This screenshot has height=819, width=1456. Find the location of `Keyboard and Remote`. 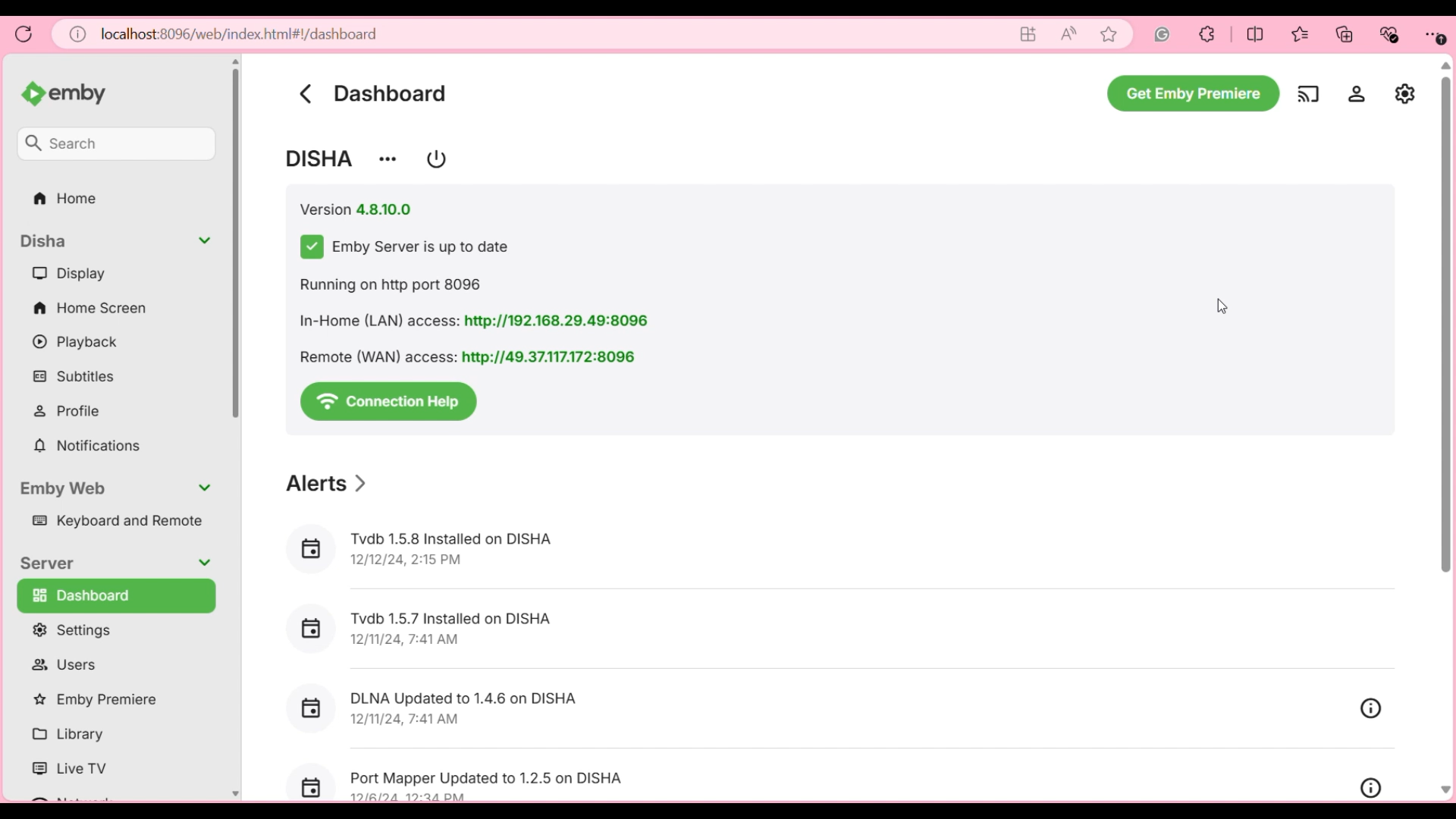

Keyboard and Remote is located at coordinates (110, 521).